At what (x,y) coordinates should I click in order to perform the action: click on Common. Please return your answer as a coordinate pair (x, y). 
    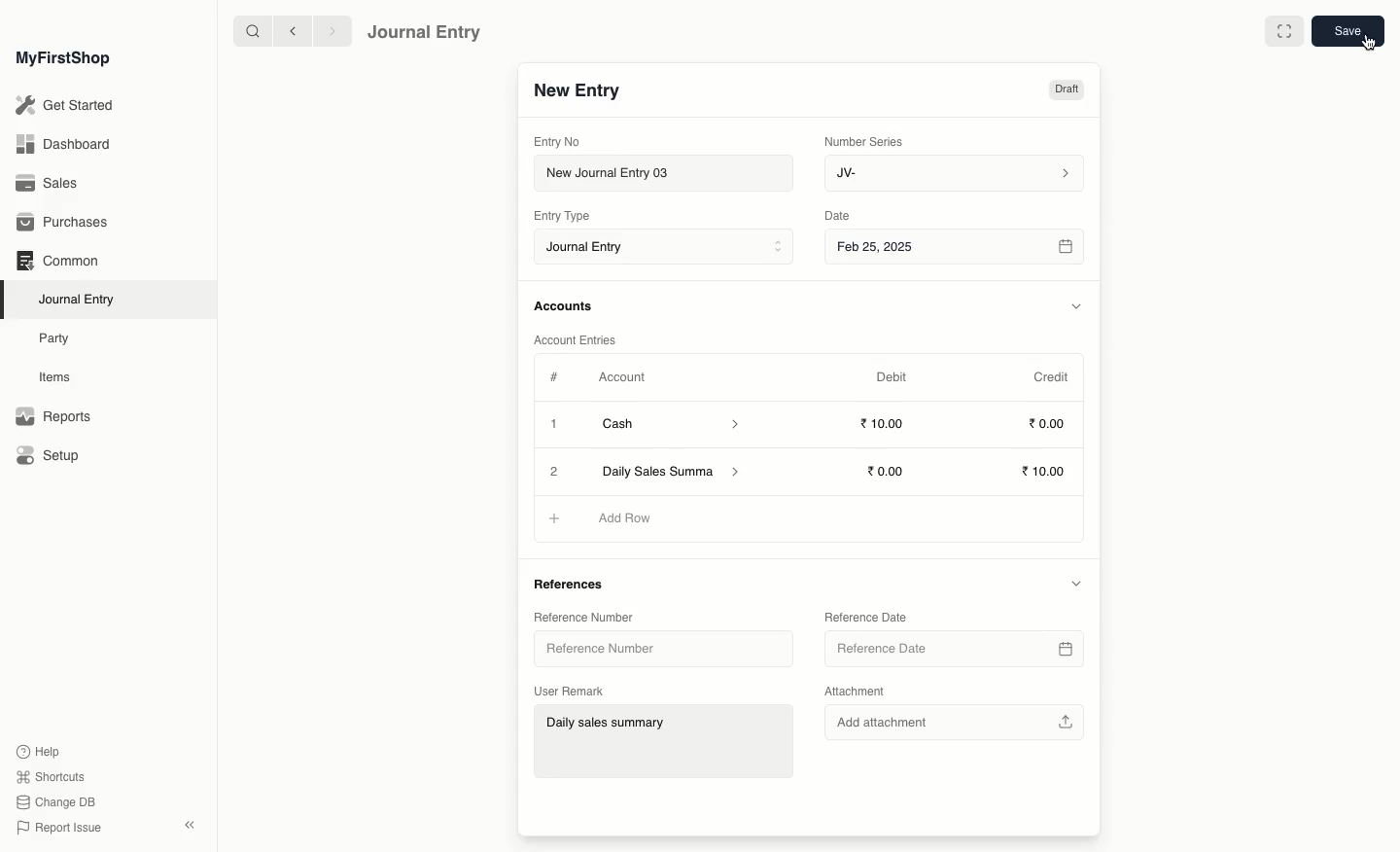
    Looking at the image, I should click on (56, 261).